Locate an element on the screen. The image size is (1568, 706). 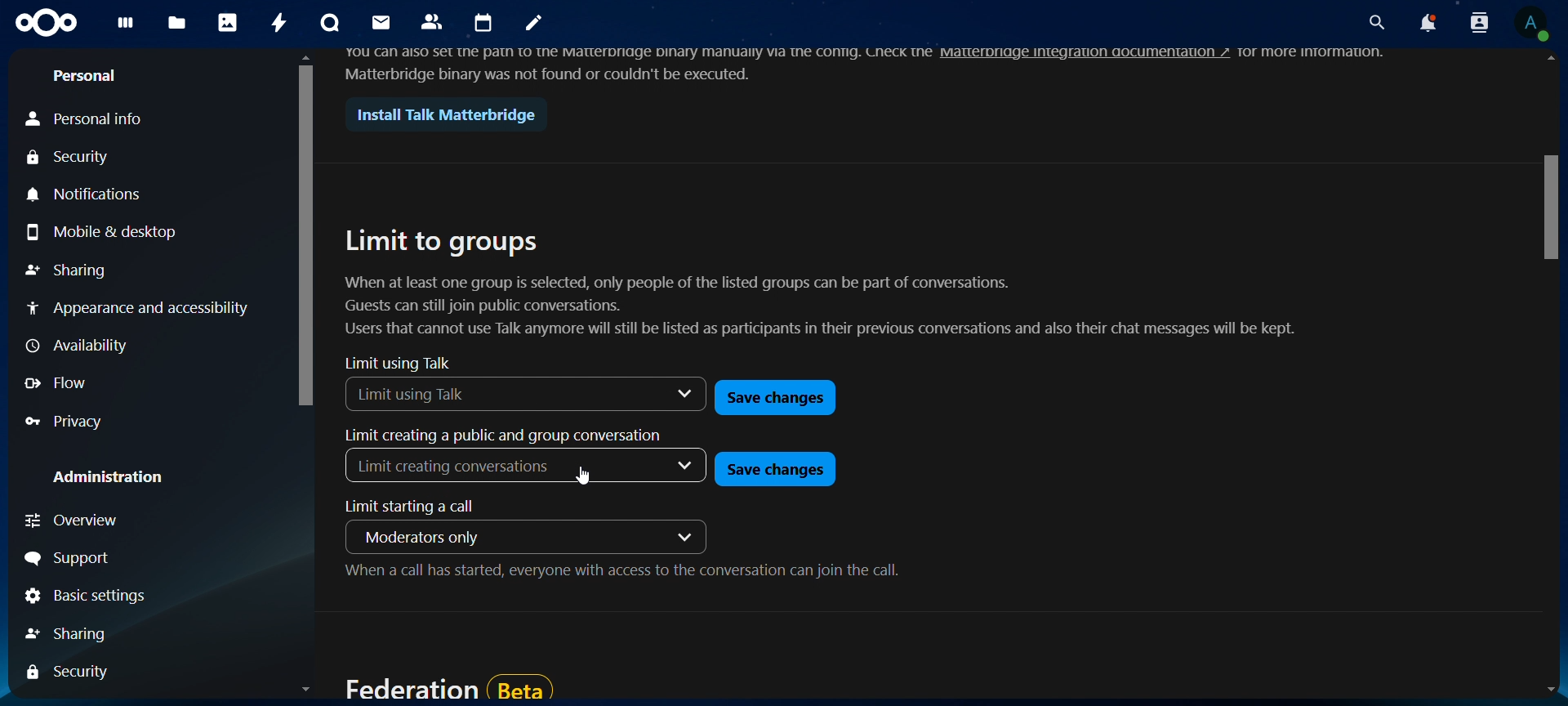
vertical scroll bar is located at coordinates (303, 235).